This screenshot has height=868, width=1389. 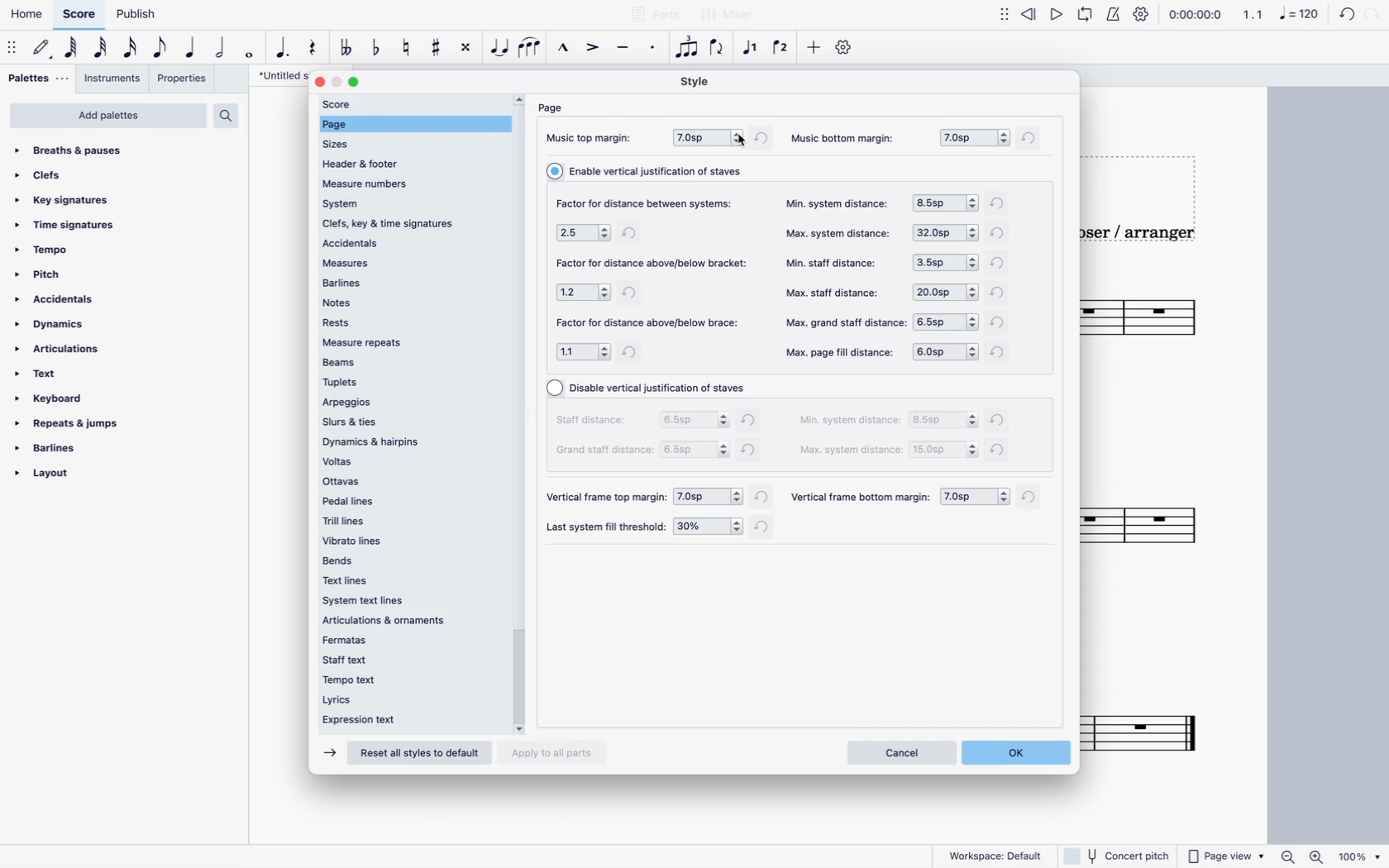 What do you see at coordinates (740, 143) in the screenshot?
I see `cursor` at bounding box center [740, 143].